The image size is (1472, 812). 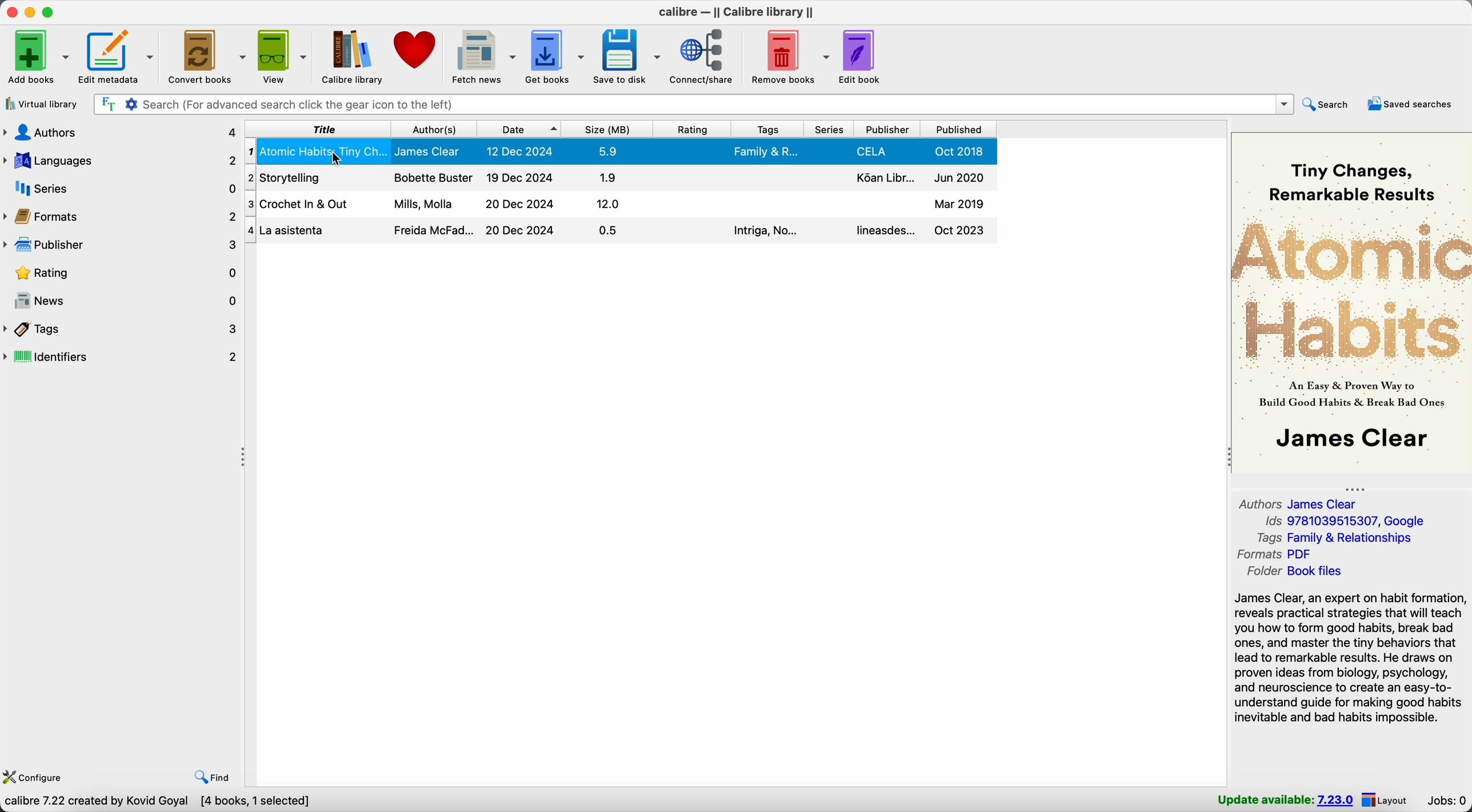 I want to click on author(s), so click(x=436, y=129).